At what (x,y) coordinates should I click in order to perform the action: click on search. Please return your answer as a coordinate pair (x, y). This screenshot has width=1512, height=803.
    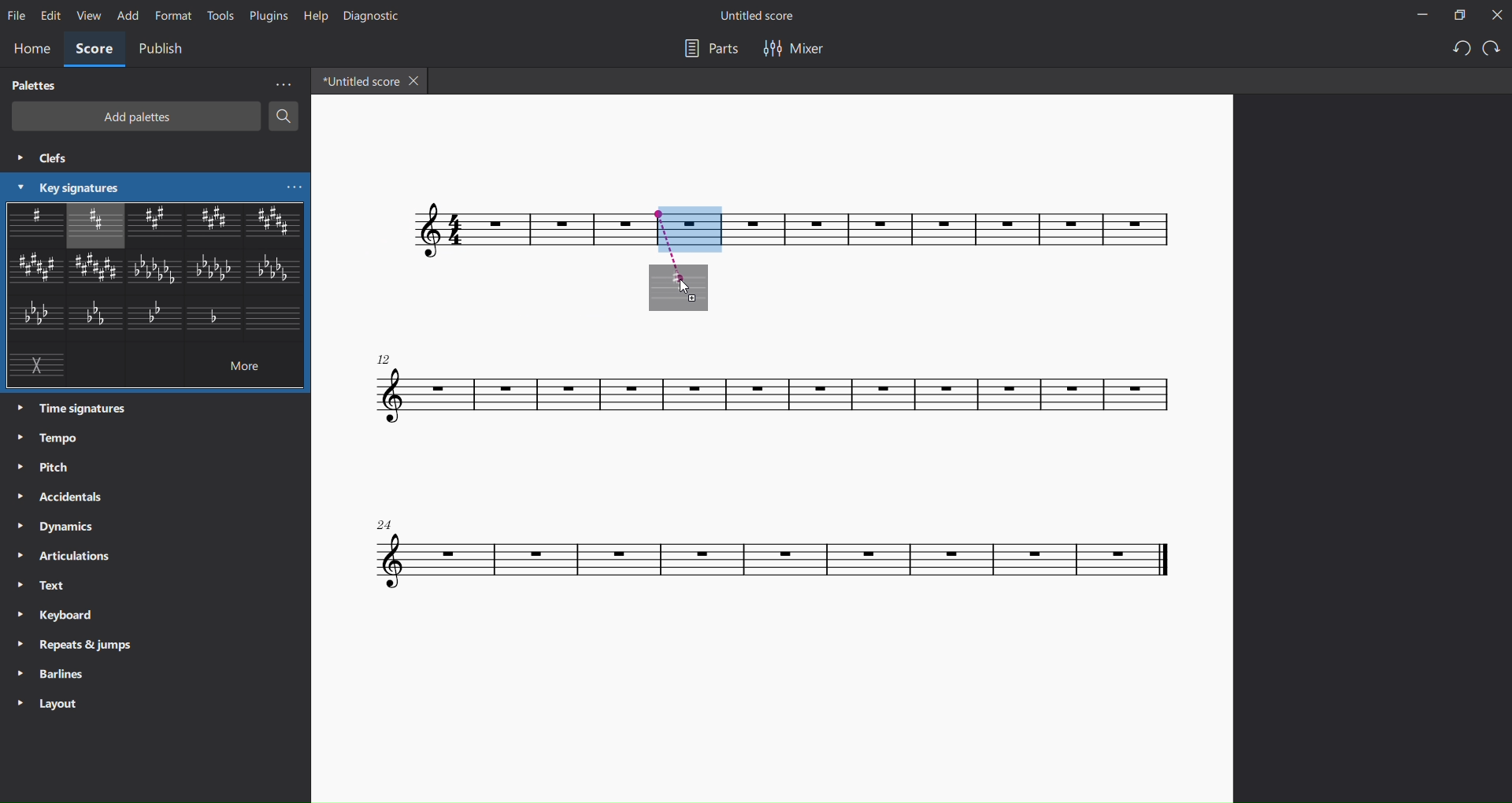
    Looking at the image, I should click on (283, 115).